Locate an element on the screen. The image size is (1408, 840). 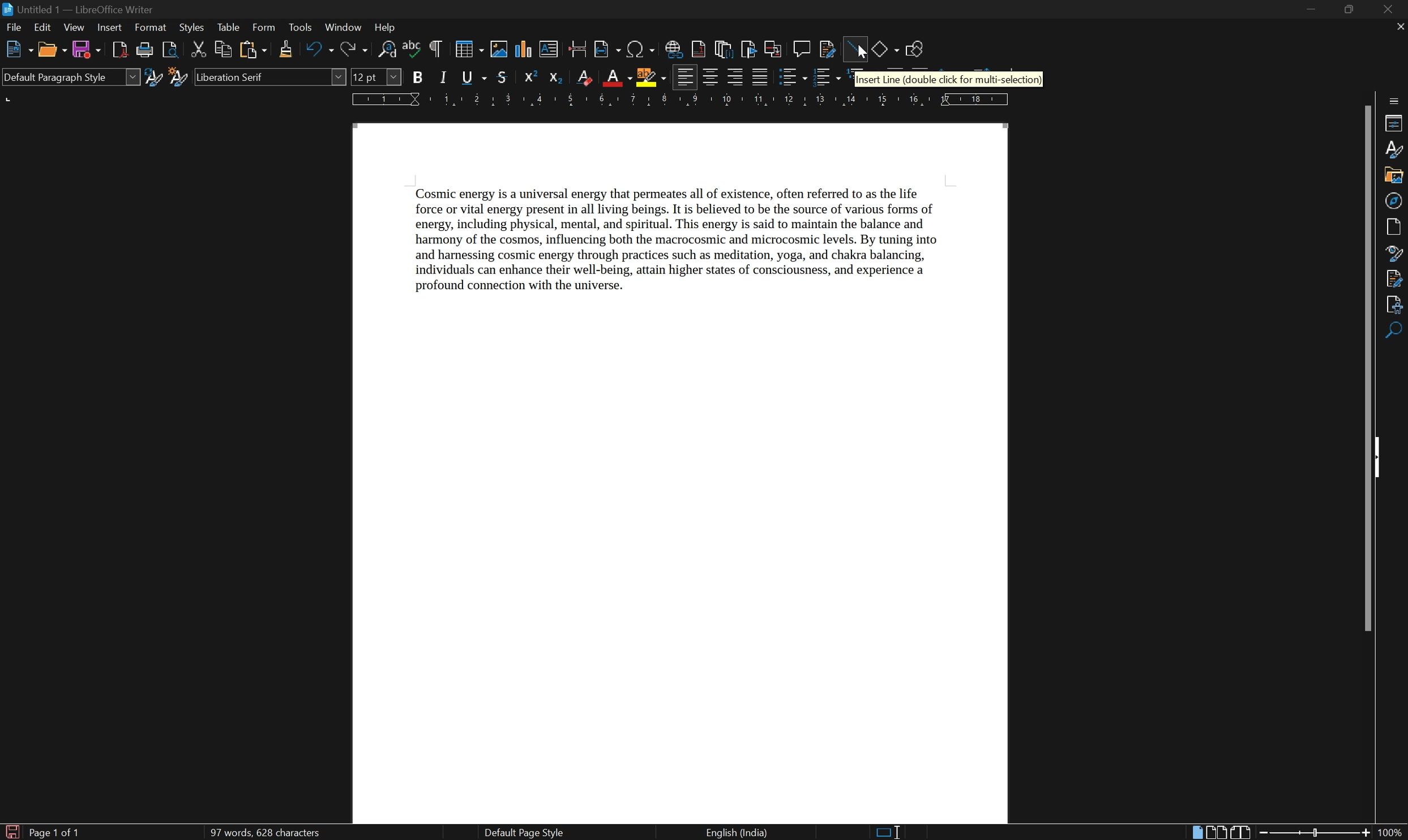
page is located at coordinates (1397, 226).